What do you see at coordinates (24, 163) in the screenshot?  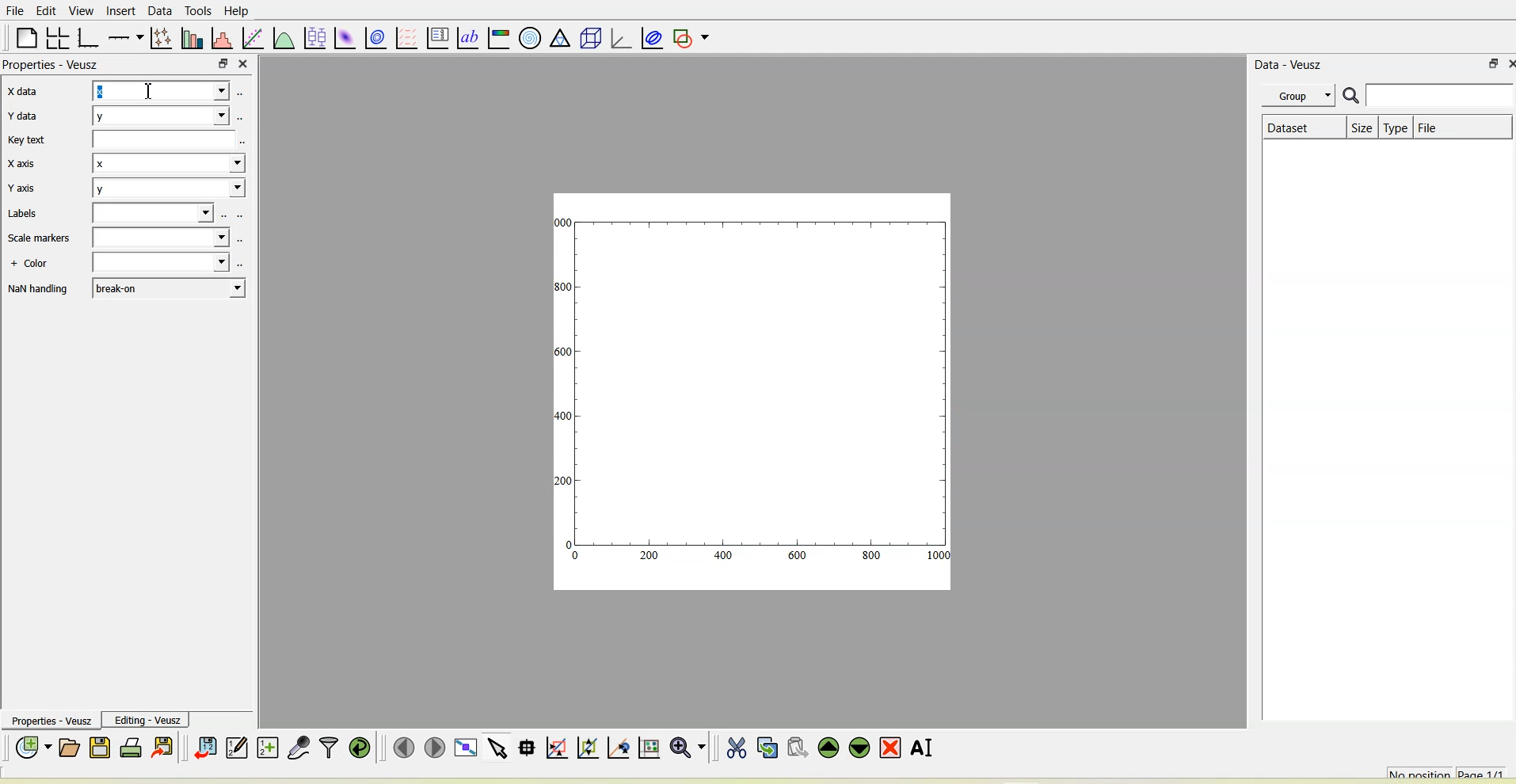 I see `X axis` at bounding box center [24, 163].